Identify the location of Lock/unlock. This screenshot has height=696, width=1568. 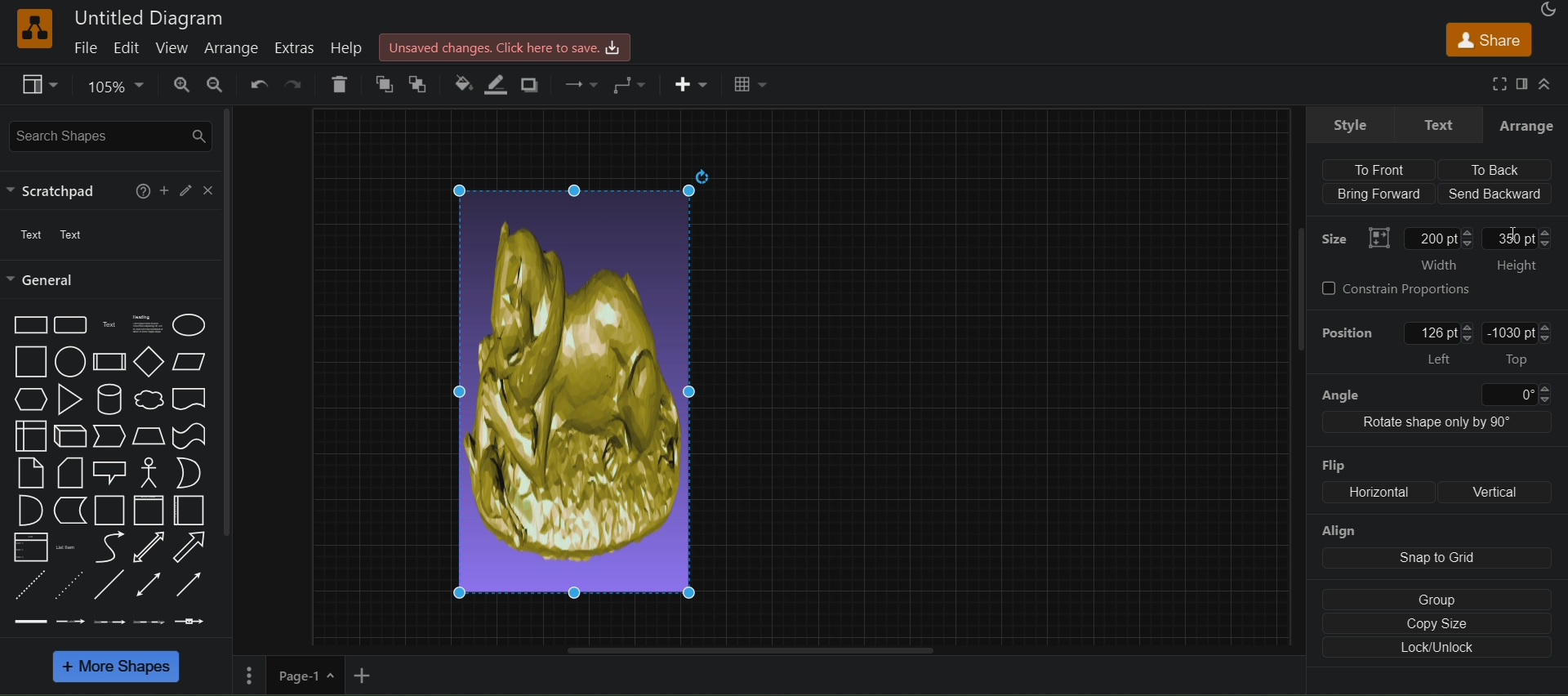
(1438, 649).